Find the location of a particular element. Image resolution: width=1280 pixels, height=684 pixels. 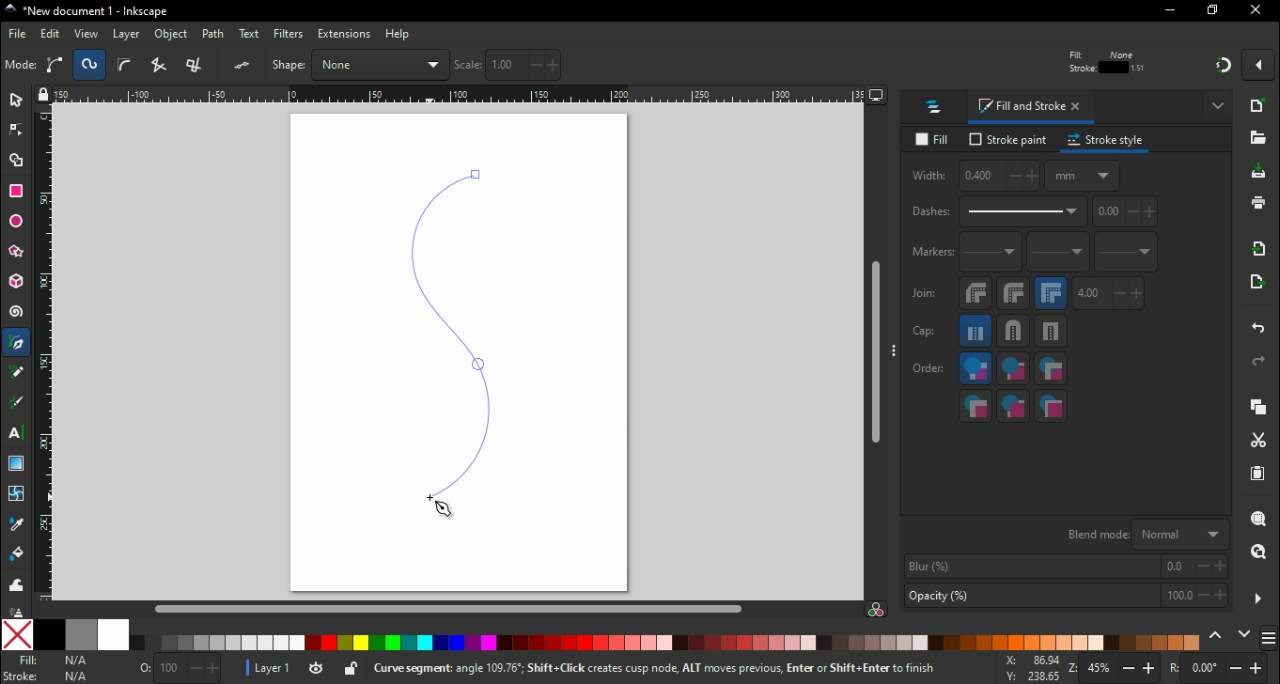

dropper tool is located at coordinates (14, 524).